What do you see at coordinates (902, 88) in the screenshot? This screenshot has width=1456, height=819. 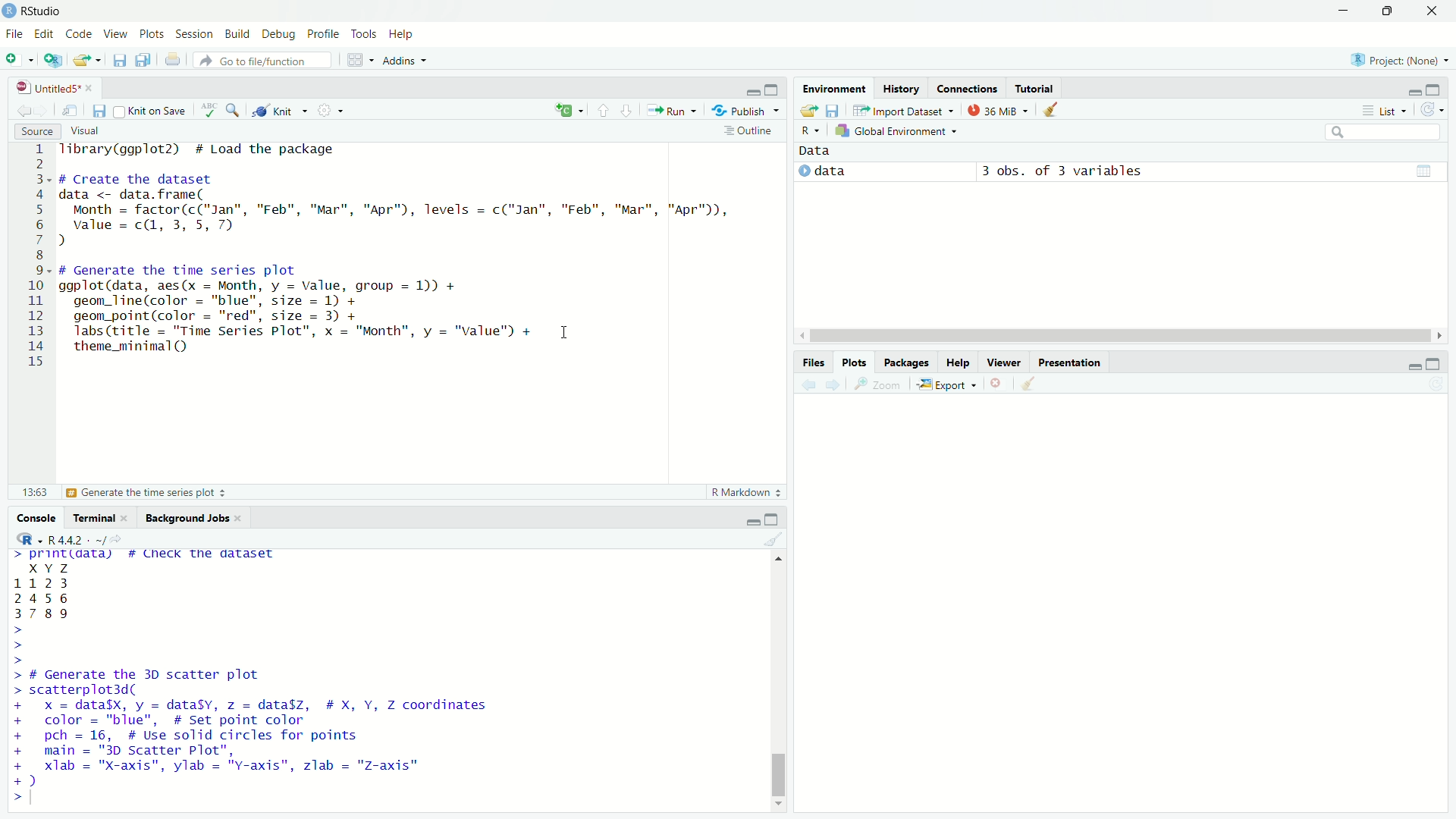 I see `History` at bounding box center [902, 88].